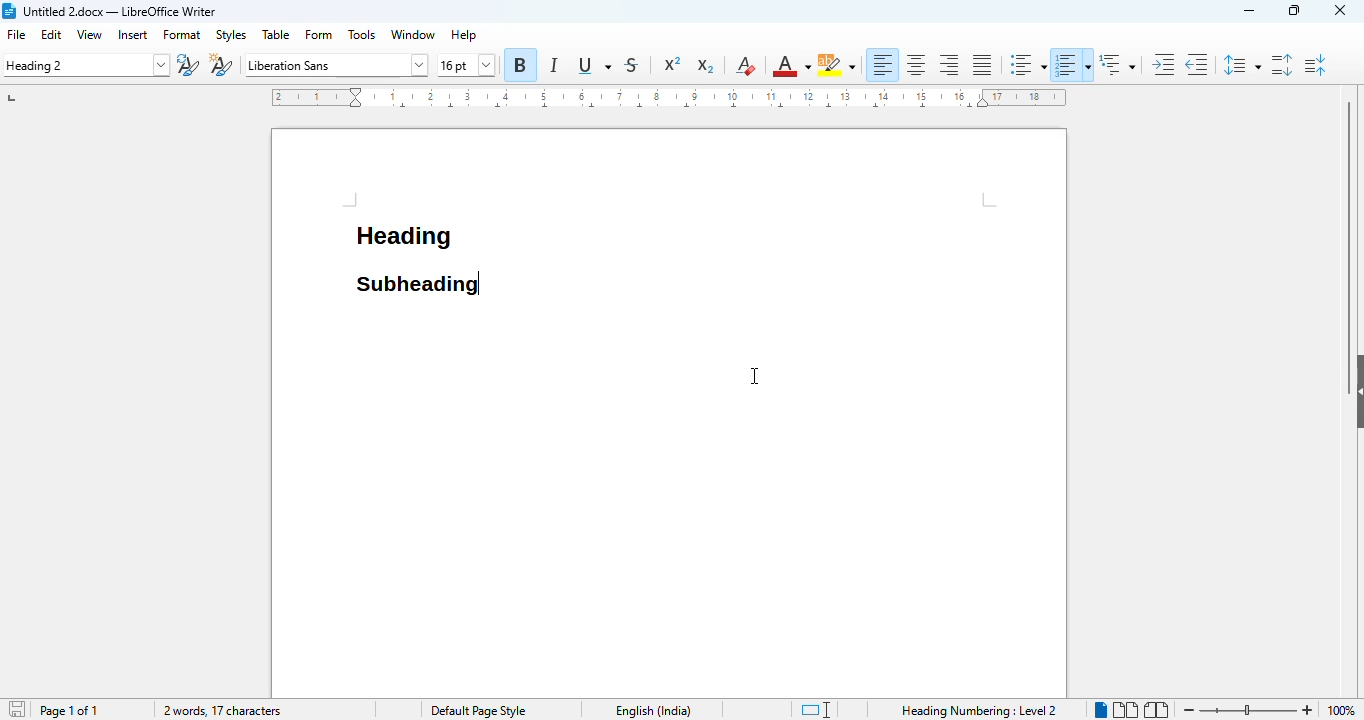 This screenshot has height=720, width=1364. What do you see at coordinates (1117, 63) in the screenshot?
I see `set outline format` at bounding box center [1117, 63].